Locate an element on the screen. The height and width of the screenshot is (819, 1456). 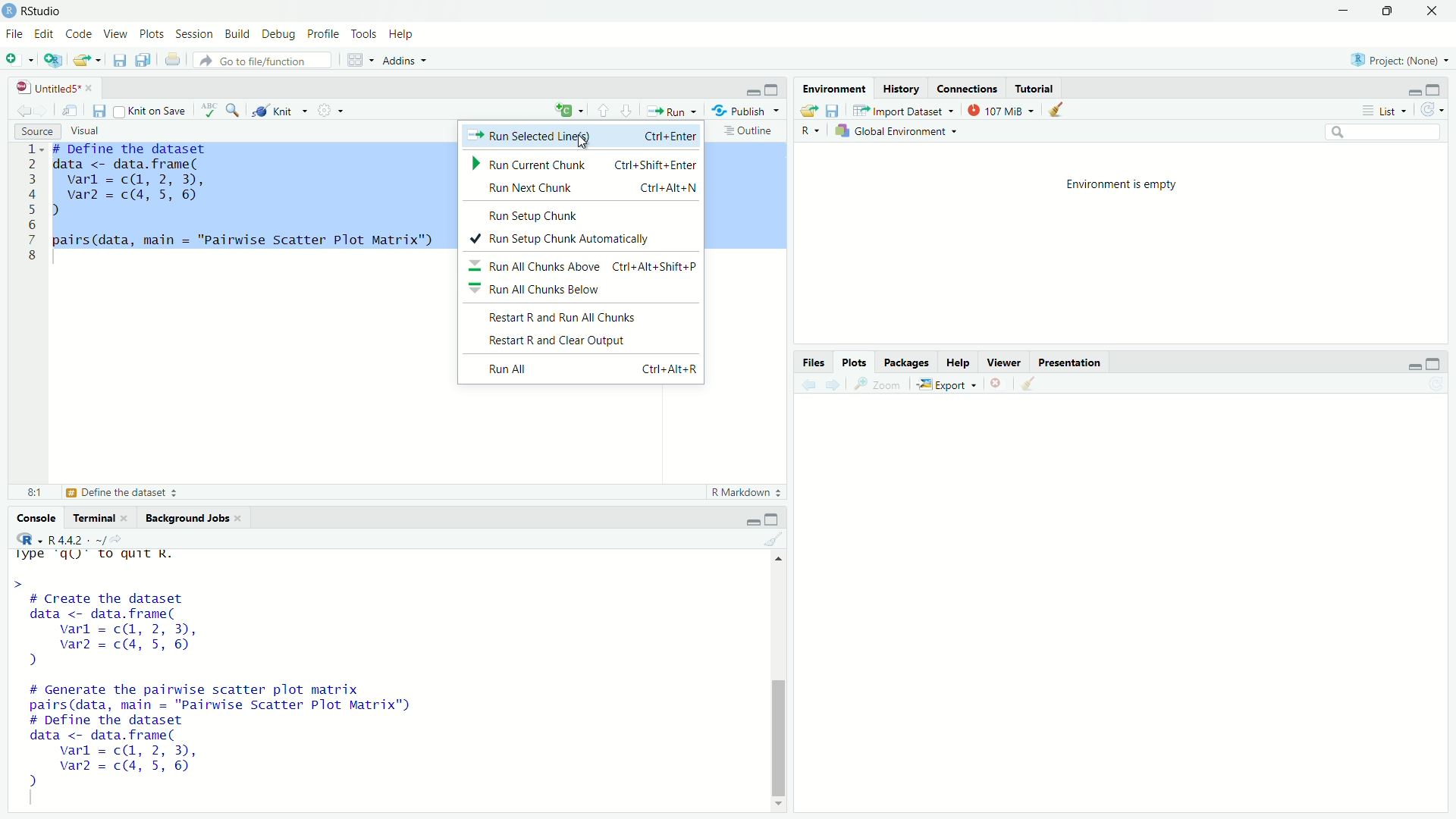
Plots is located at coordinates (153, 33).